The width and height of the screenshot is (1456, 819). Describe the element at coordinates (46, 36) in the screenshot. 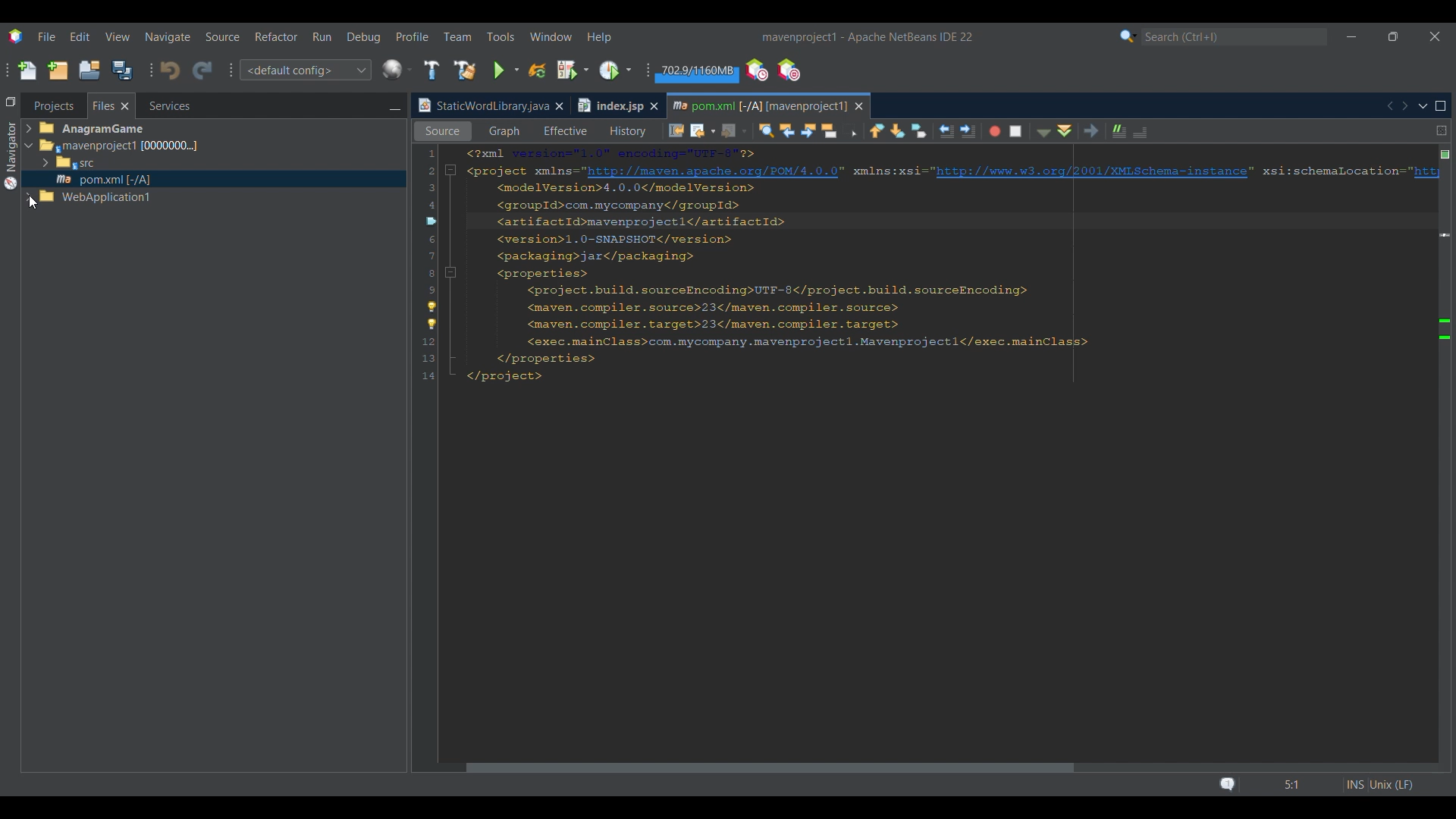

I see `File menu` at that location.